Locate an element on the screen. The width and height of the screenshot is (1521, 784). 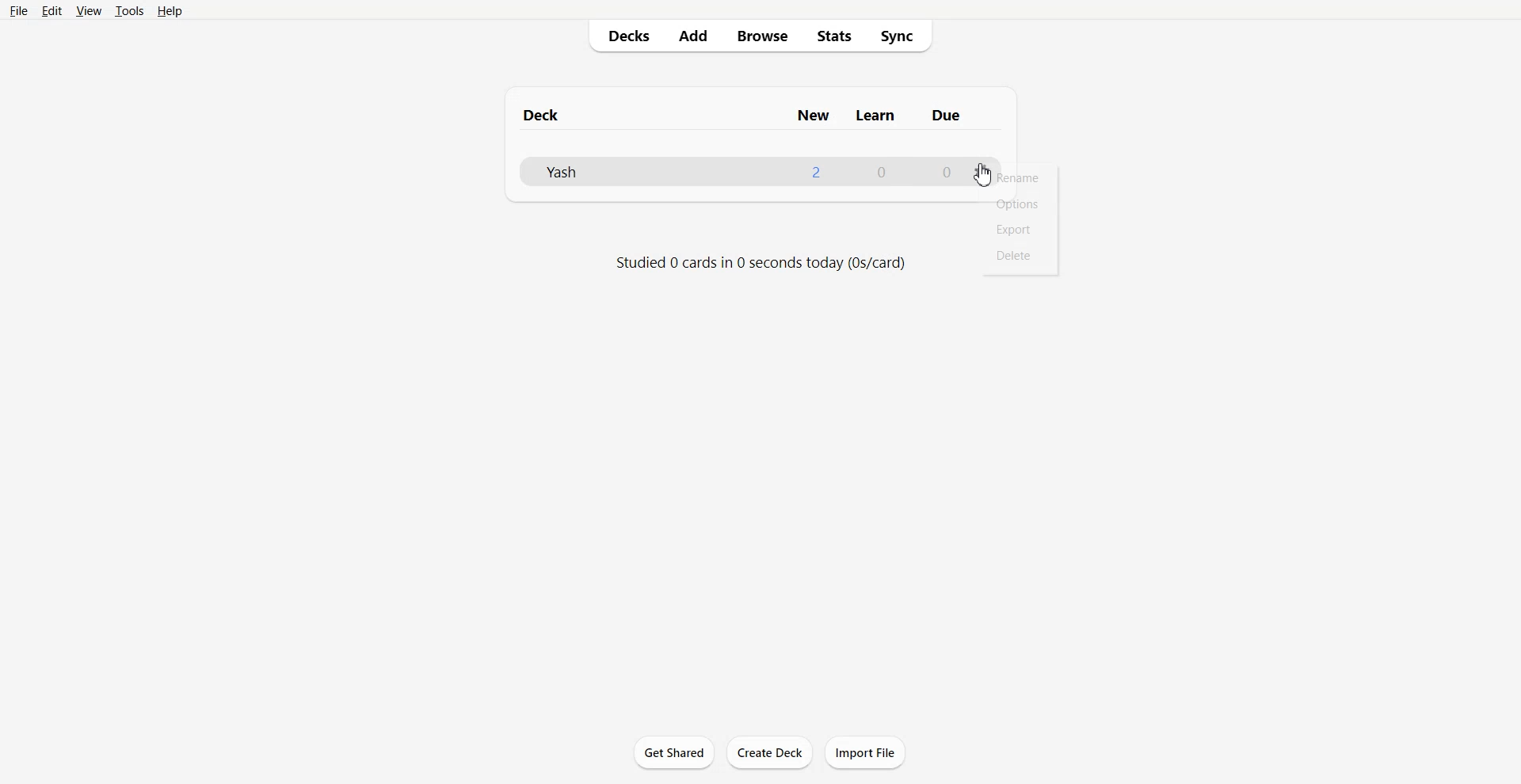
Decks is located at coordinates (626, 36).